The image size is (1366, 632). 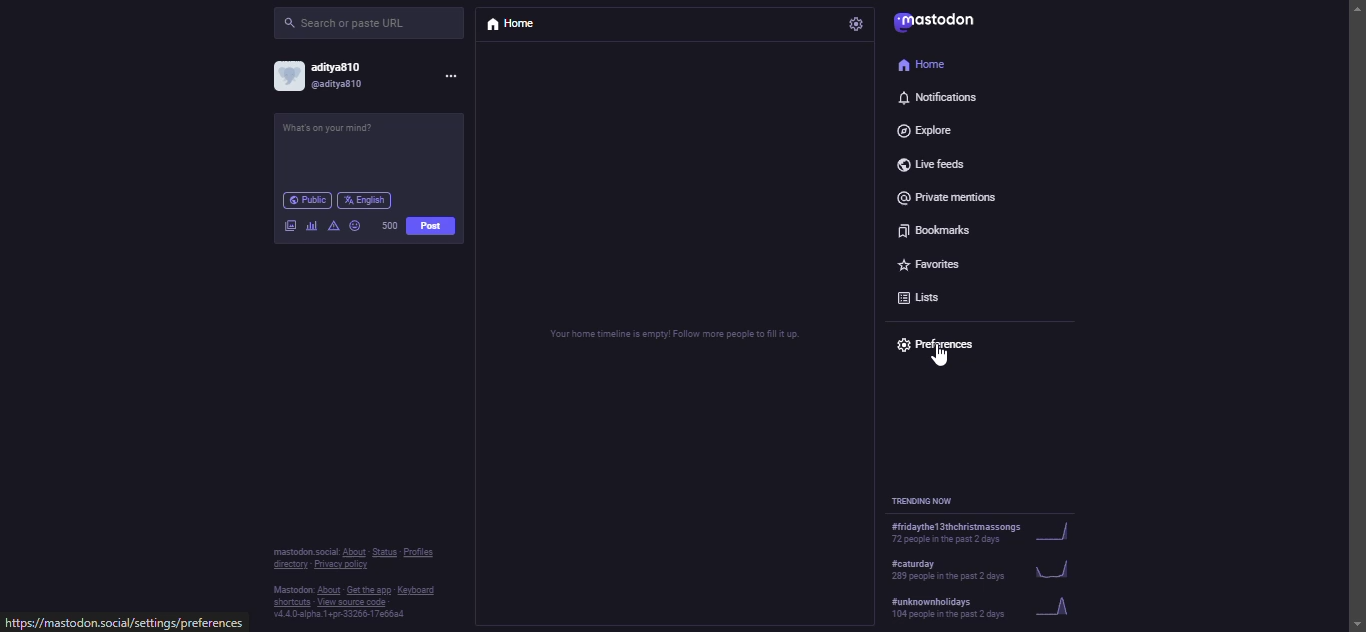 What do you see at coordinates (985, 610) in the screenshot?
I see `trending` at bounding box center [985, 610].